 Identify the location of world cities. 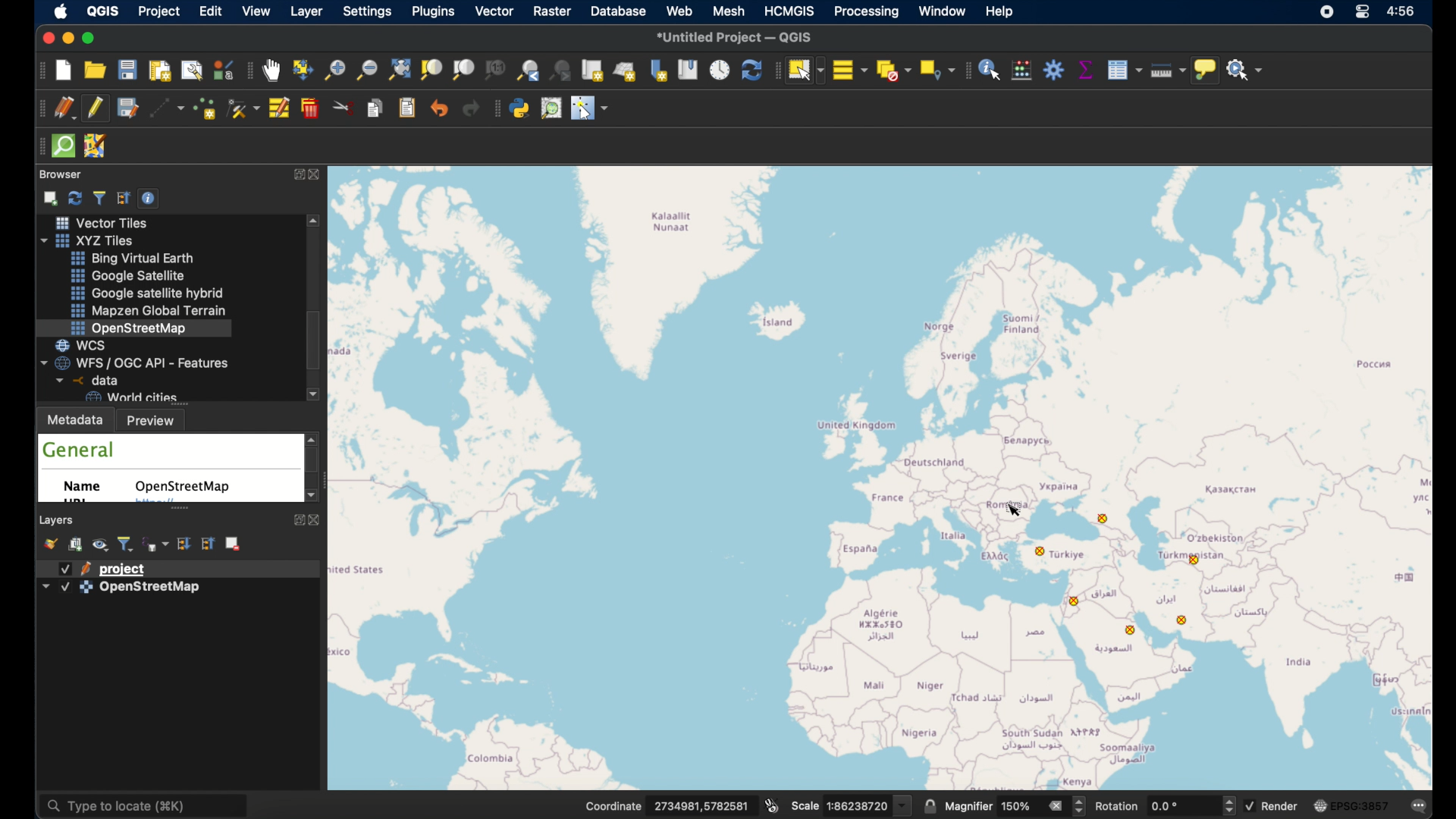
(130, 397).